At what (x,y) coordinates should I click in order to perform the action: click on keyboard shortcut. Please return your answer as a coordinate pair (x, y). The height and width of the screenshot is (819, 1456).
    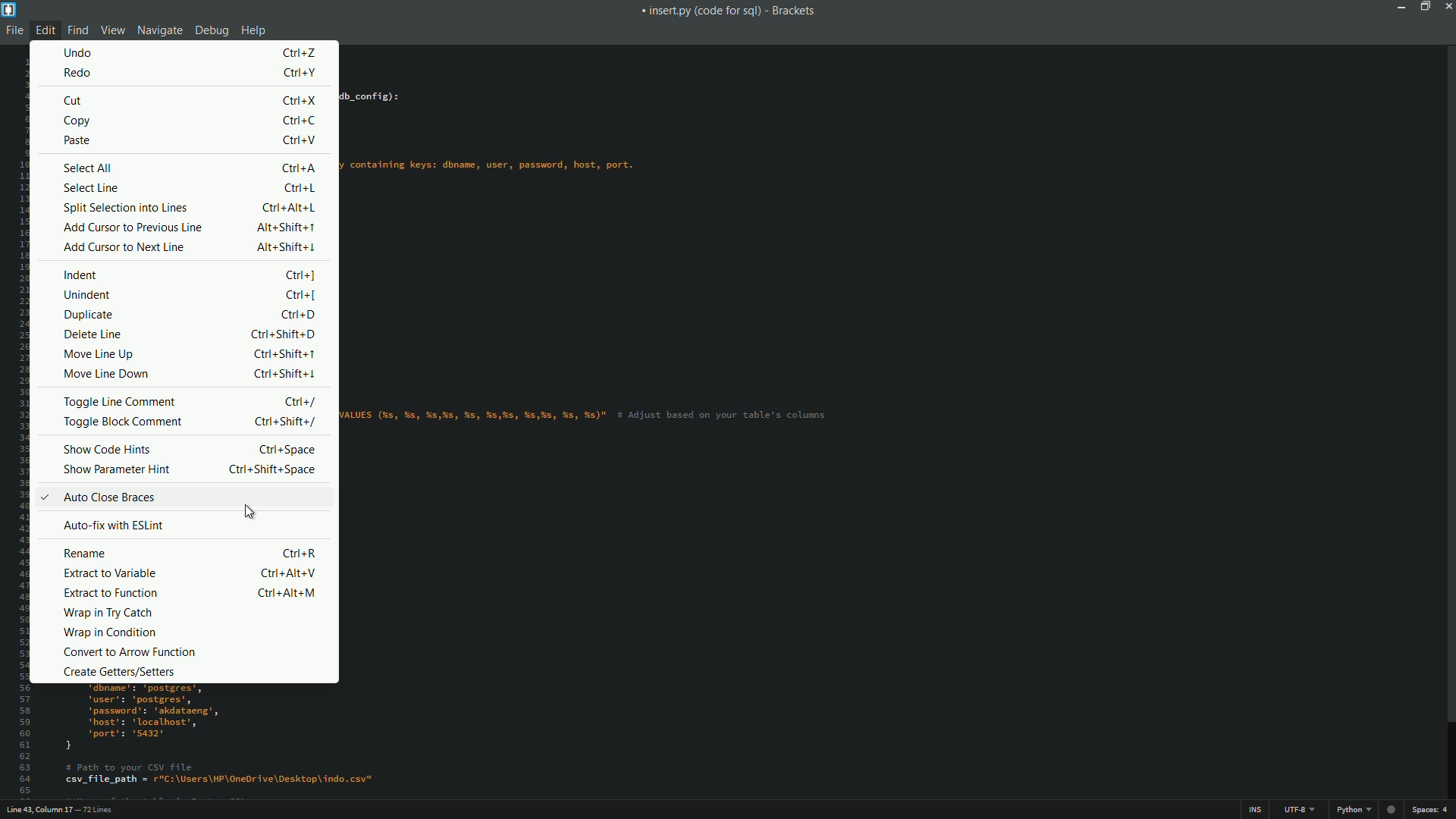
    Looking at the image, I should click on (285, 592).